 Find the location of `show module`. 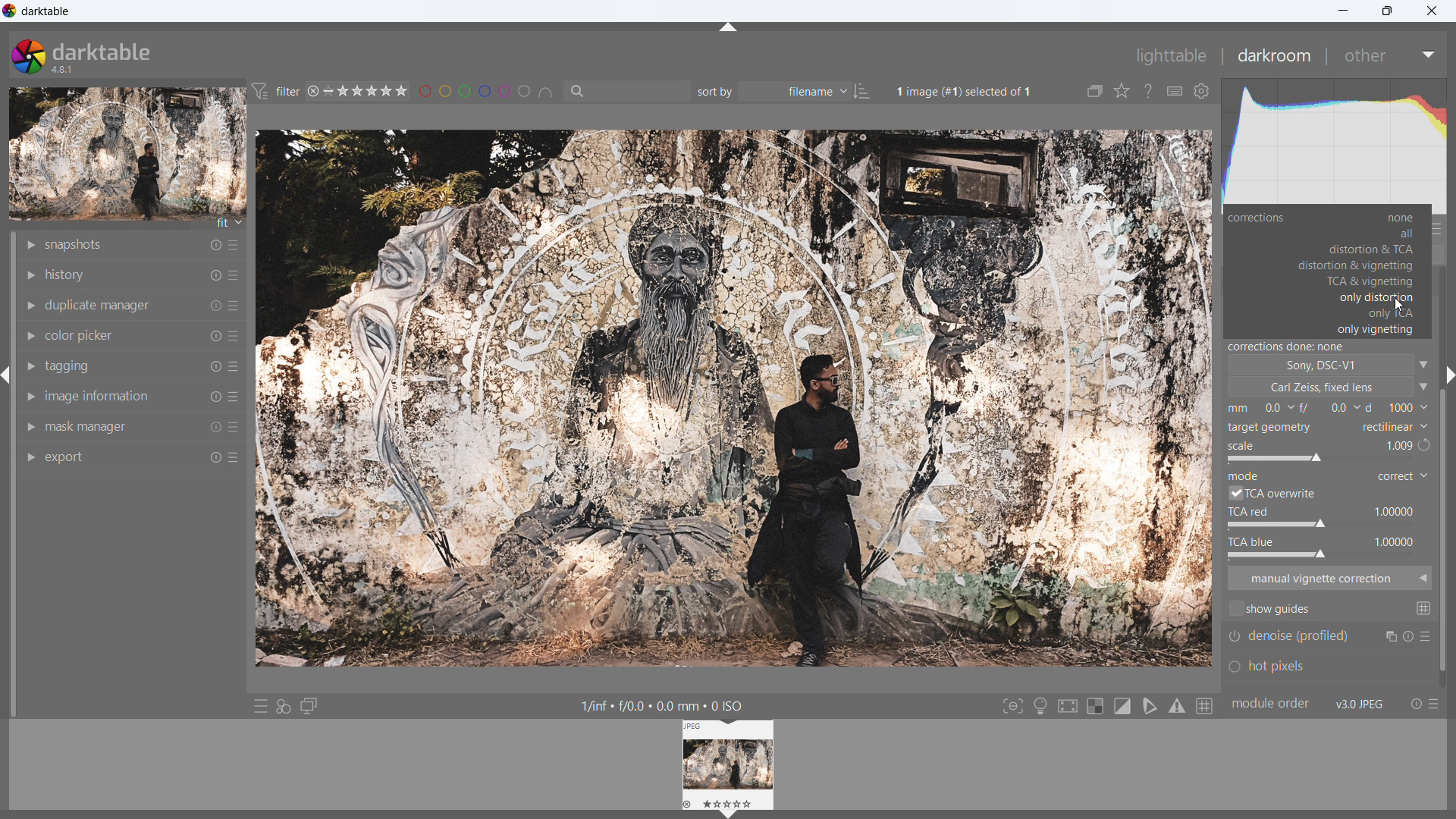

show module is located at coordinates (33, 458).